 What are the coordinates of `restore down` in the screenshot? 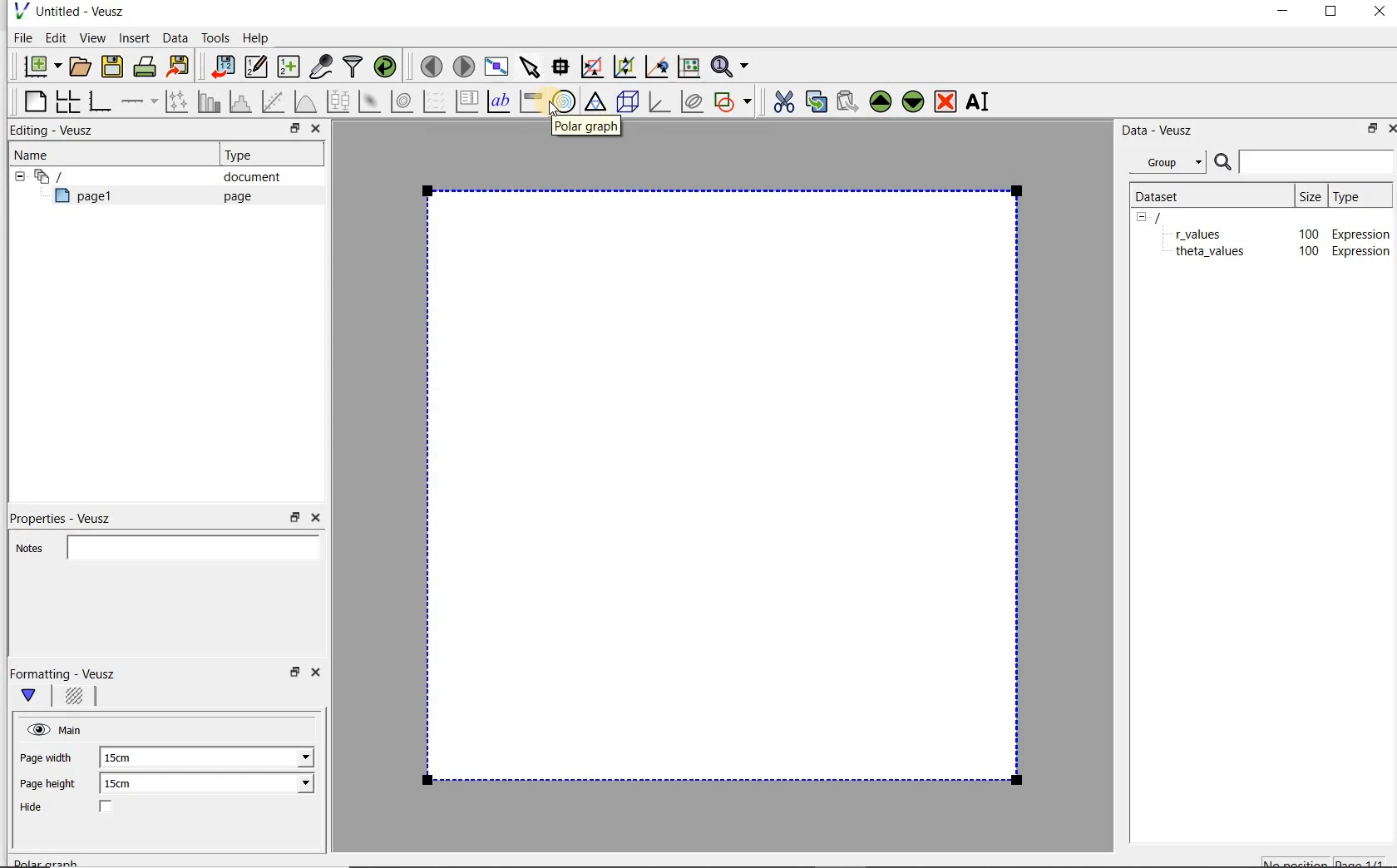 It's located at (293, 677).